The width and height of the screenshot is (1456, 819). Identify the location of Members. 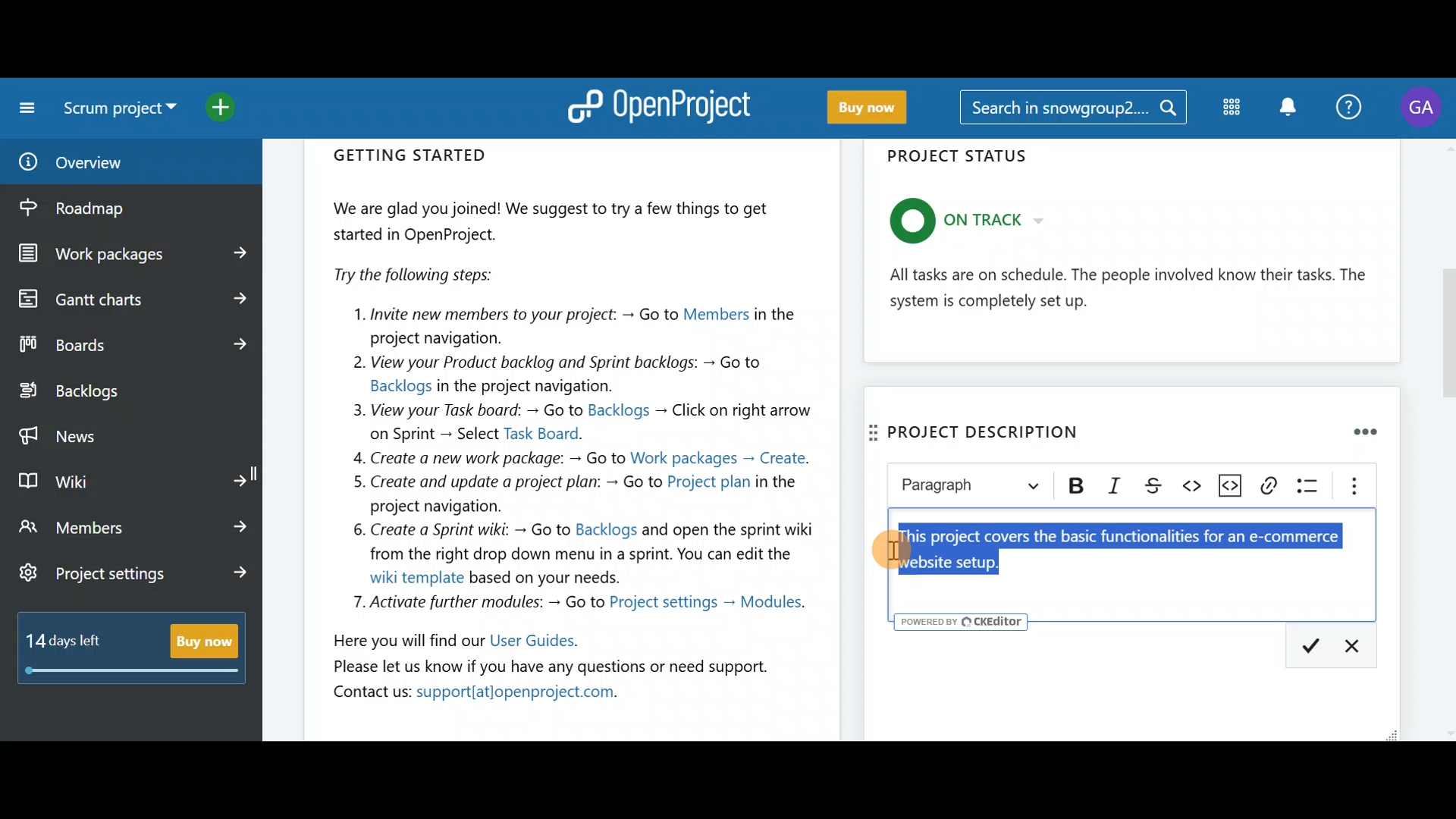
(135, 526).